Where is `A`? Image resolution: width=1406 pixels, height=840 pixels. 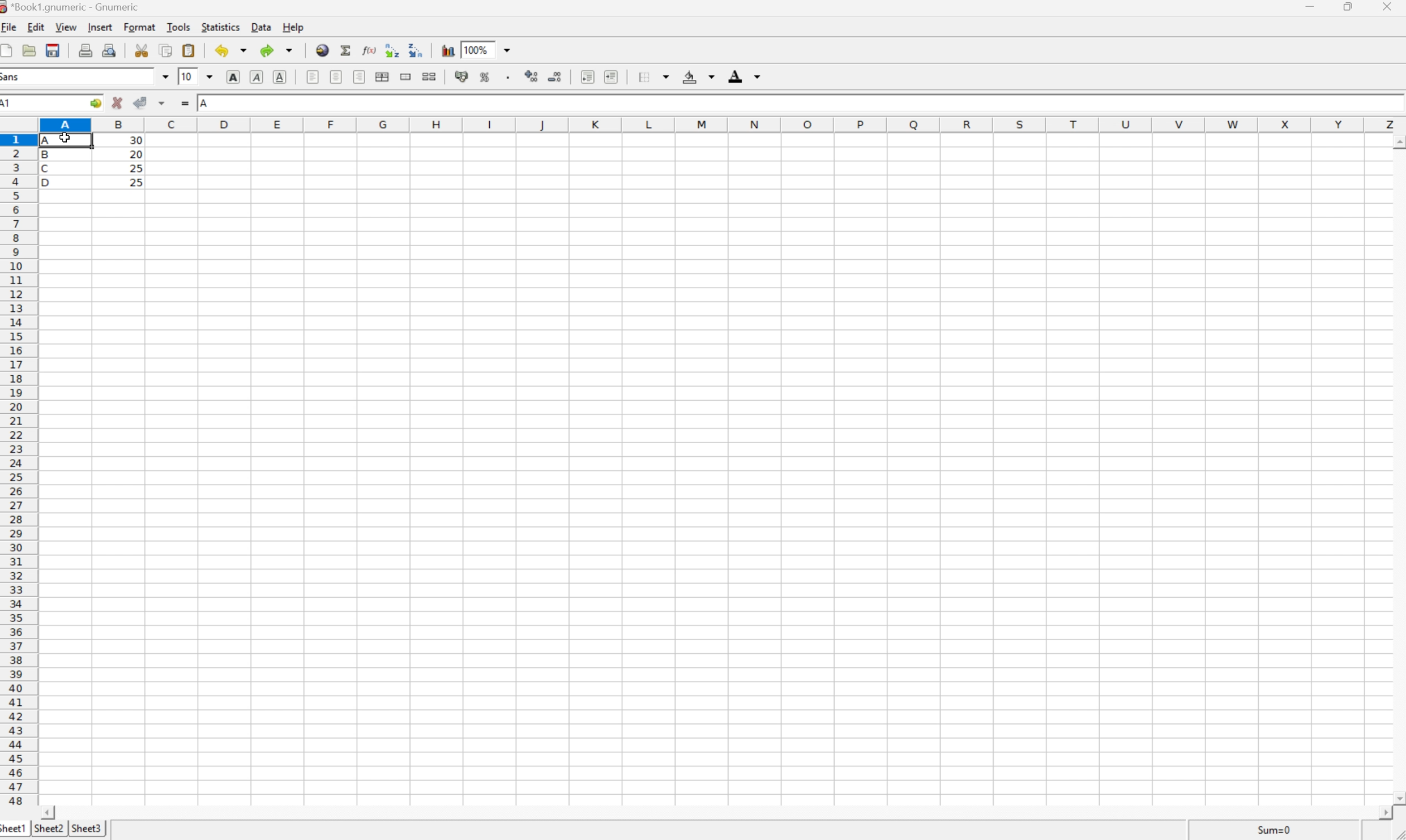
A is located at coordinates (50, 138).